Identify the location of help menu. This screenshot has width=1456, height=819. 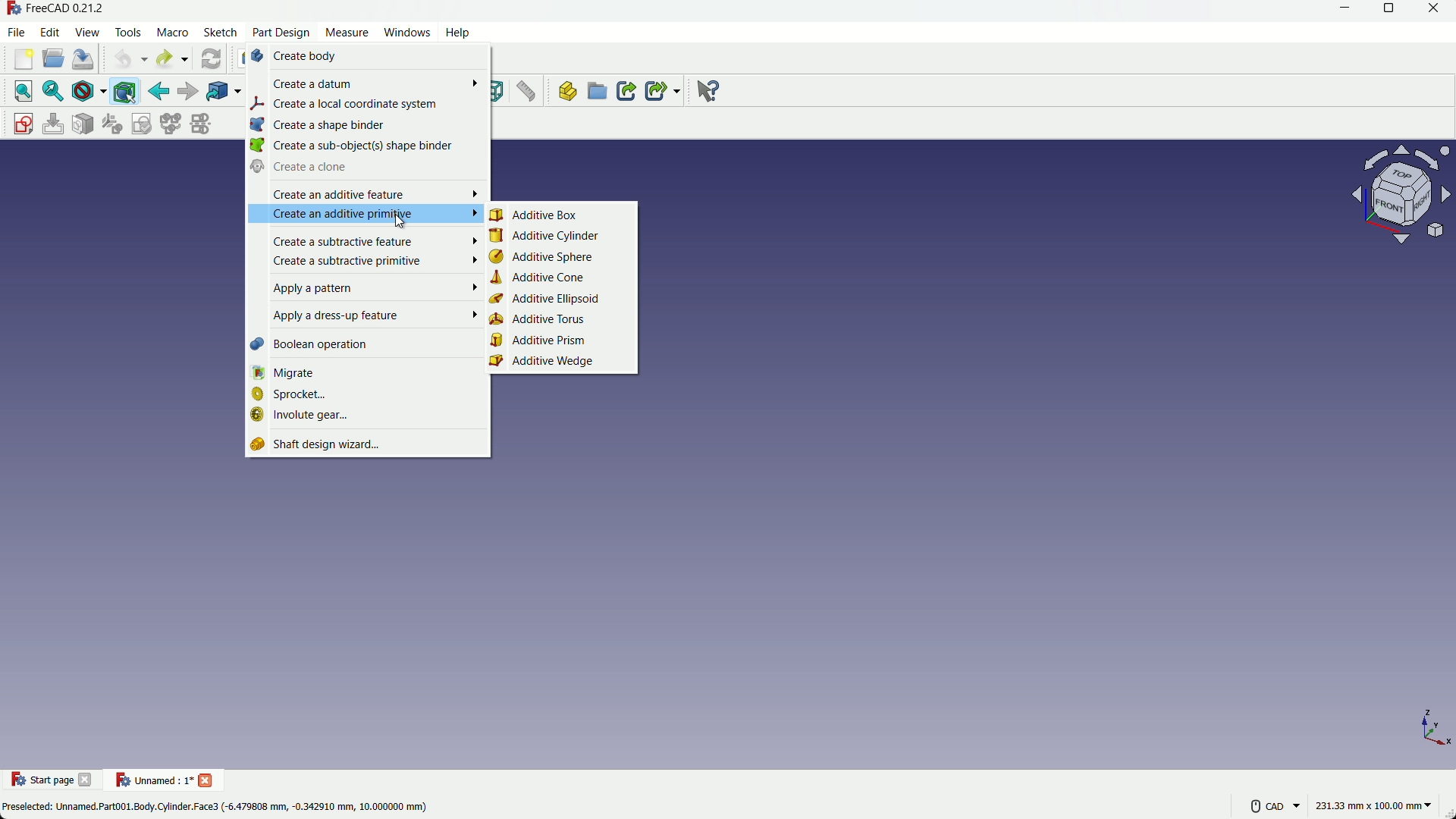
(453, 34).